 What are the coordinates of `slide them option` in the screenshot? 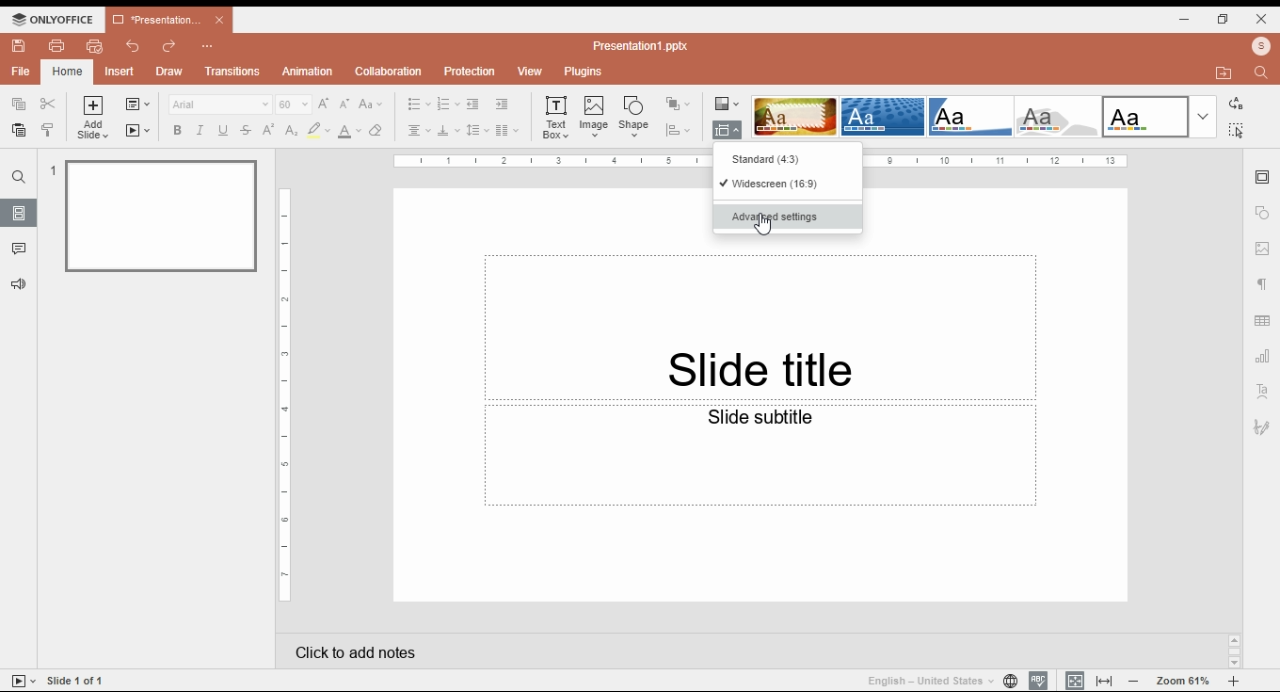 It's located at (883, 116).